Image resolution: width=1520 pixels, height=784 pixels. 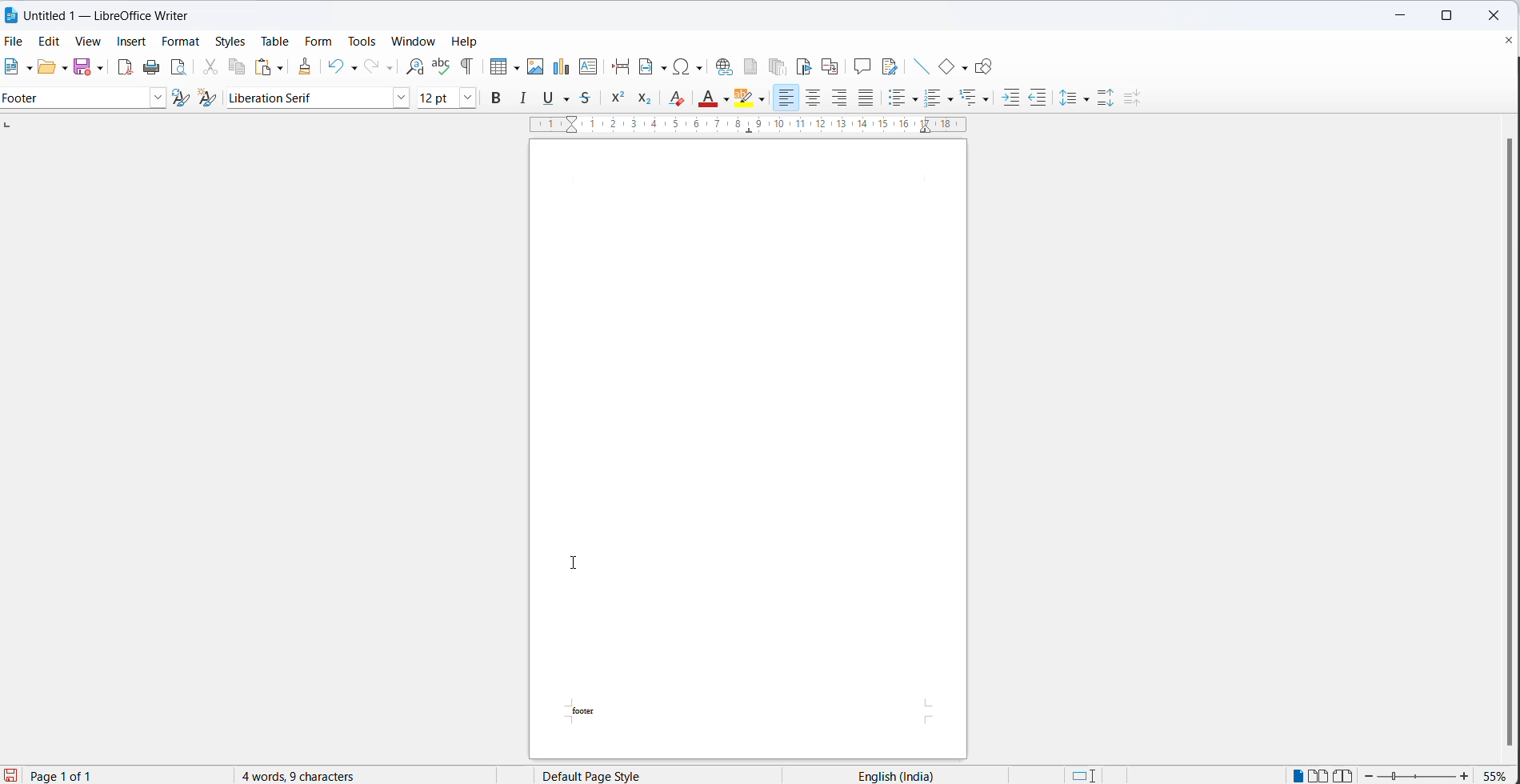 I want to click on insert cross-reference, so click(x=831, y=68).